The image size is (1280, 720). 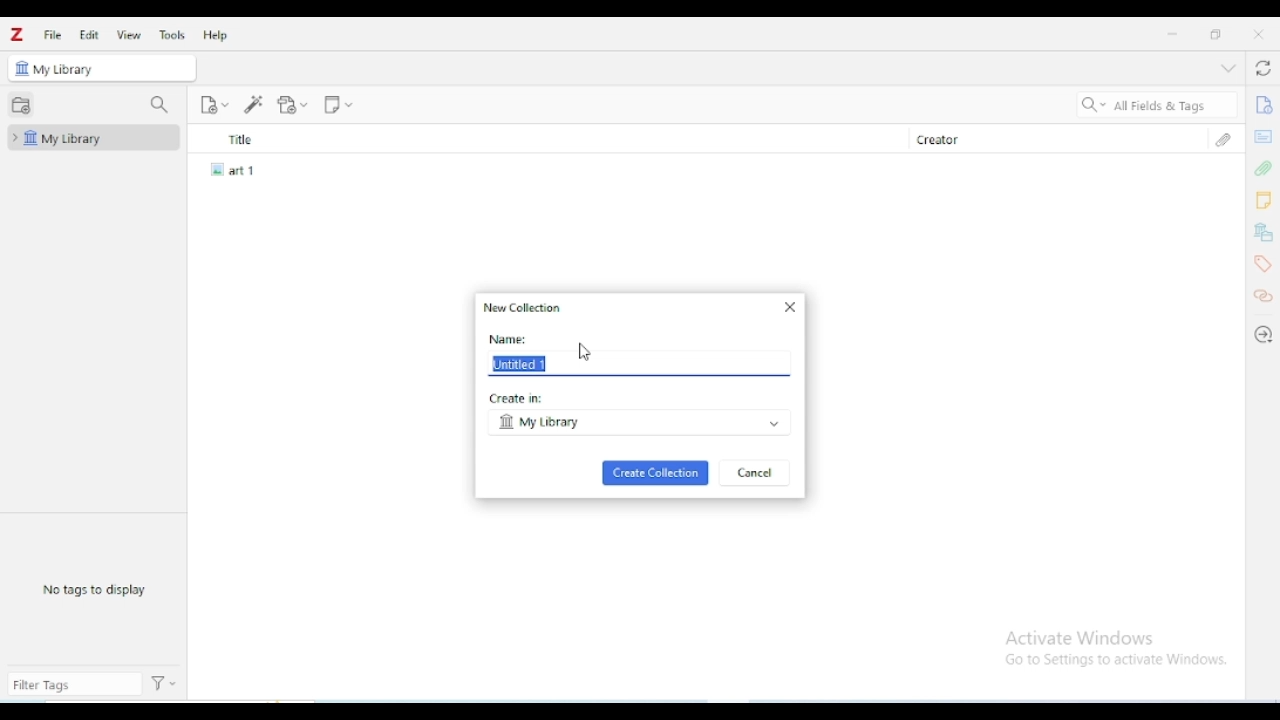 What do you see at coordinates (52, 34) in the screenshot?
I see `file` at bounding box center [52, 34].